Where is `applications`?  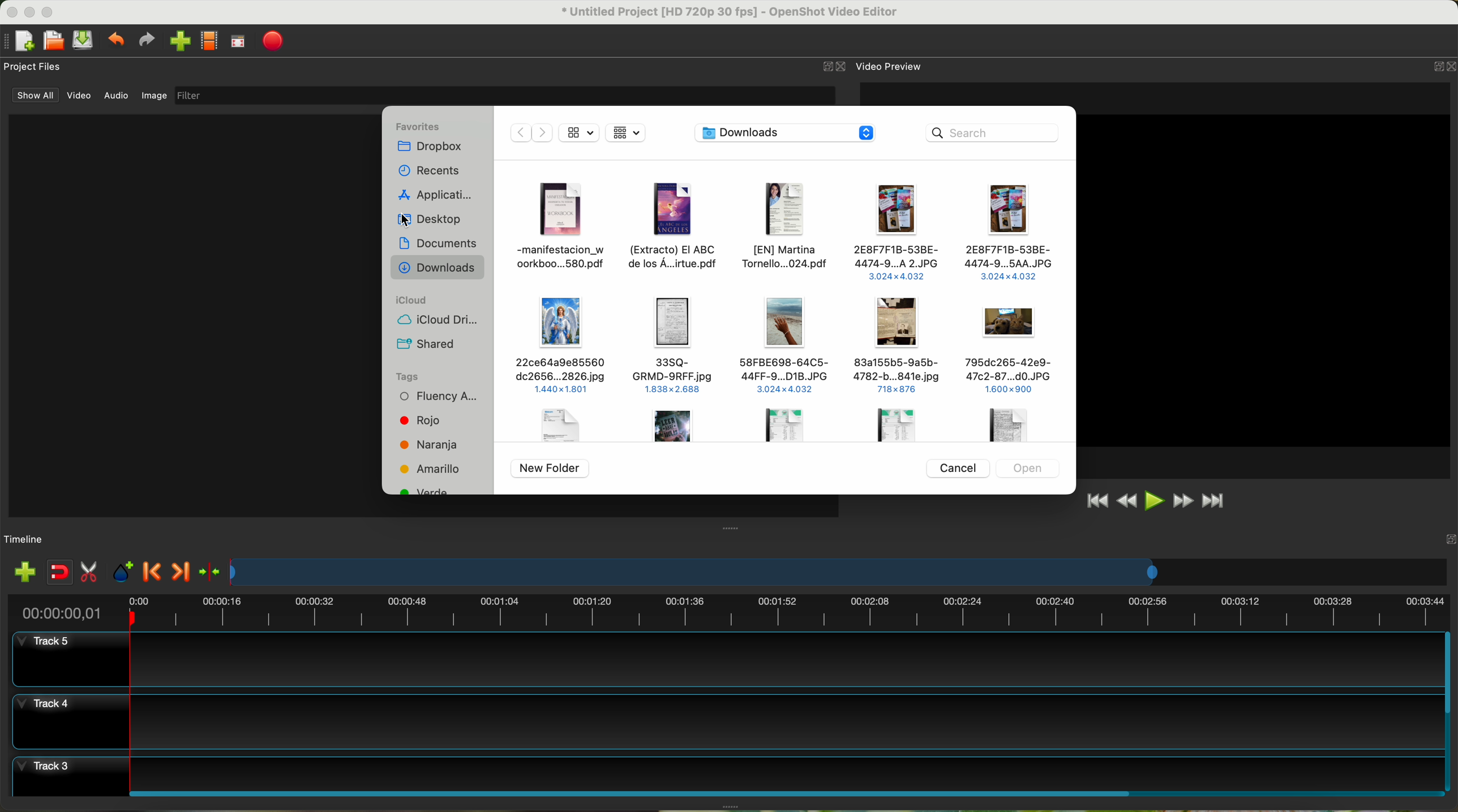
applications is located at coordinates (438, 193).